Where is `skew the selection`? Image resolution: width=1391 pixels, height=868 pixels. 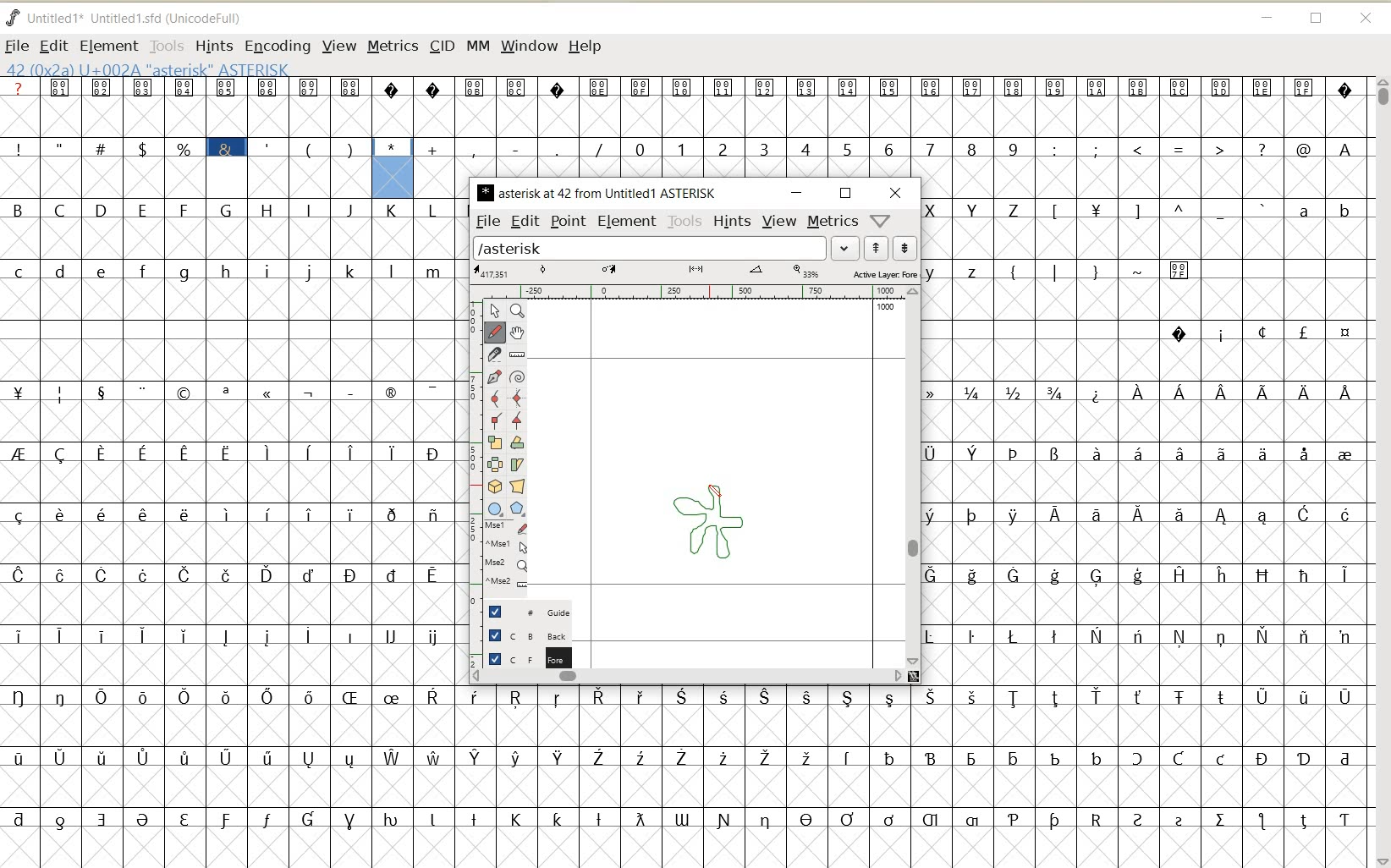 skew the selection is located at coordinates (517, 464).